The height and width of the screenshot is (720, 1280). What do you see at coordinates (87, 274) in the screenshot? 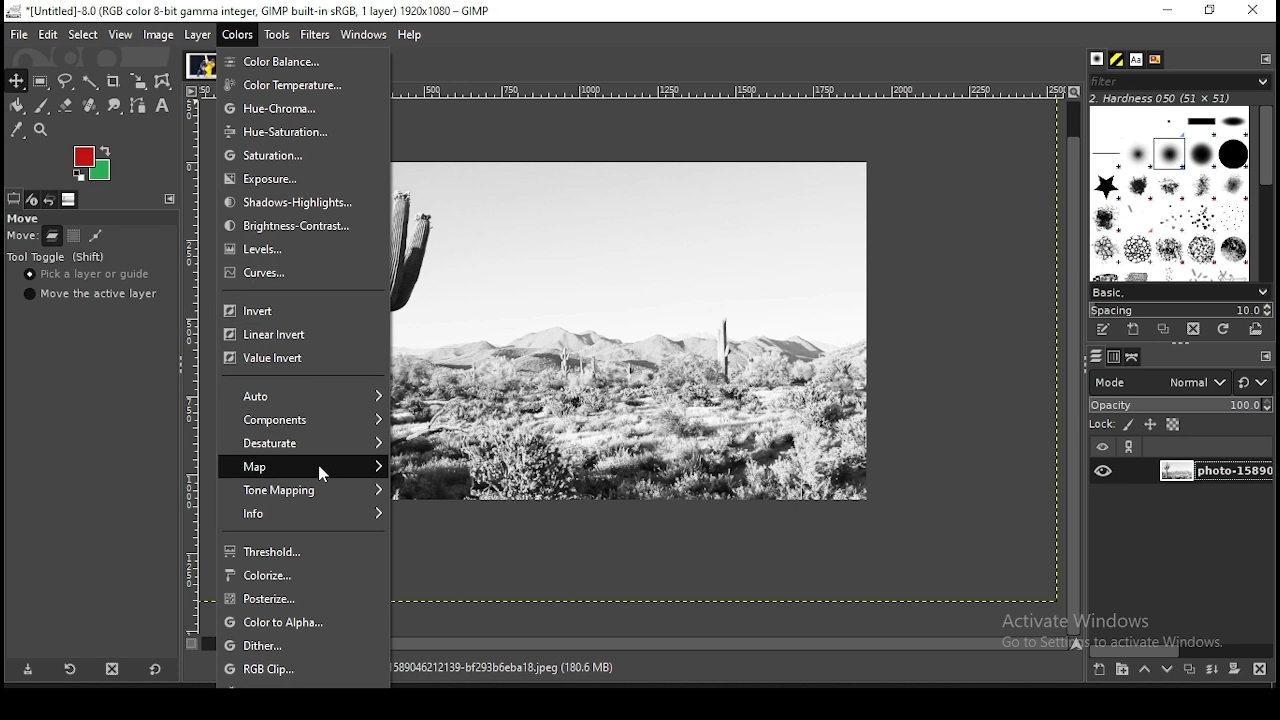
I see `pick a layer or guide` at bounding box center [87, 274].